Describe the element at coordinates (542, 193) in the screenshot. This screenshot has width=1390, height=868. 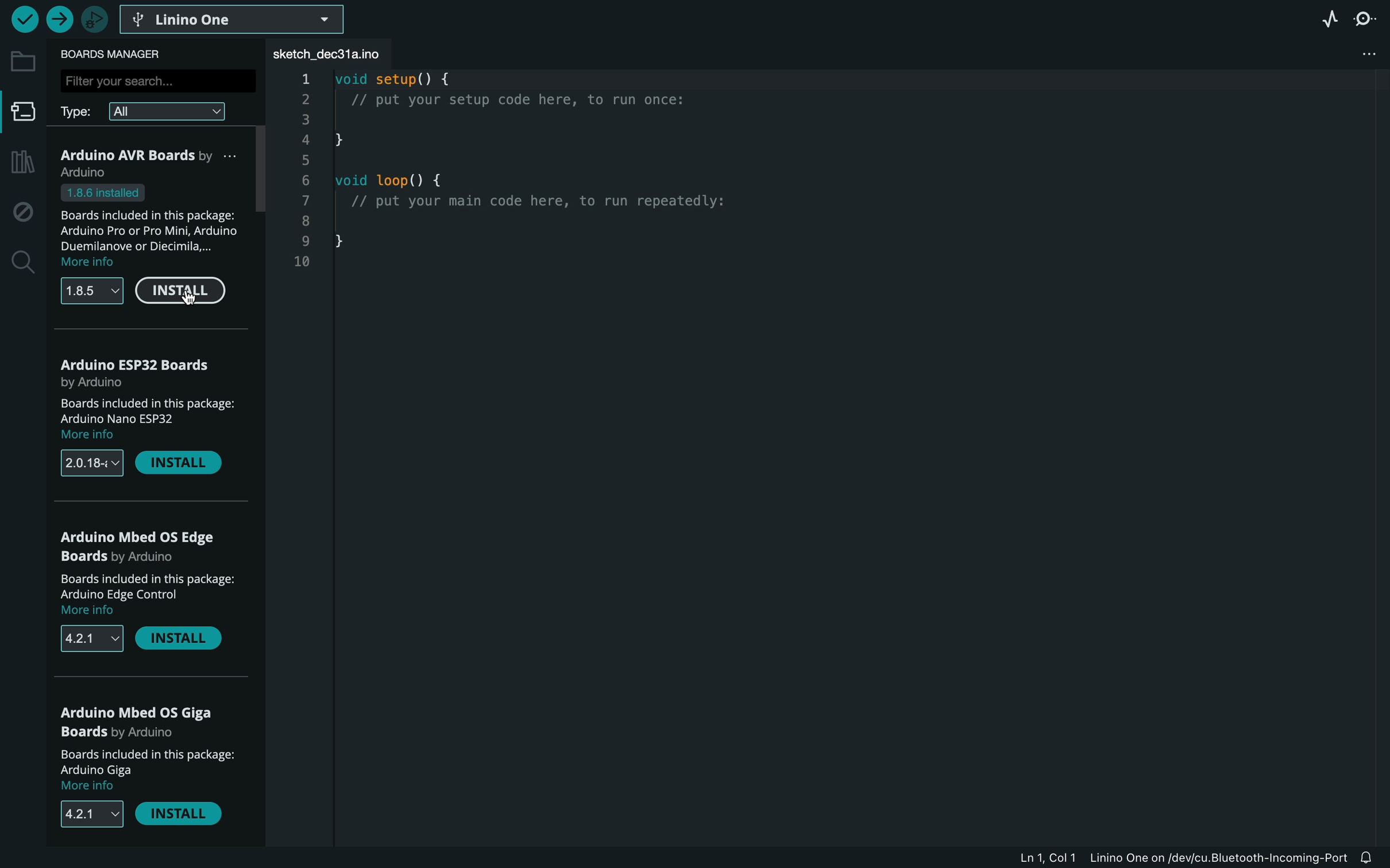
I see `code` at that location.